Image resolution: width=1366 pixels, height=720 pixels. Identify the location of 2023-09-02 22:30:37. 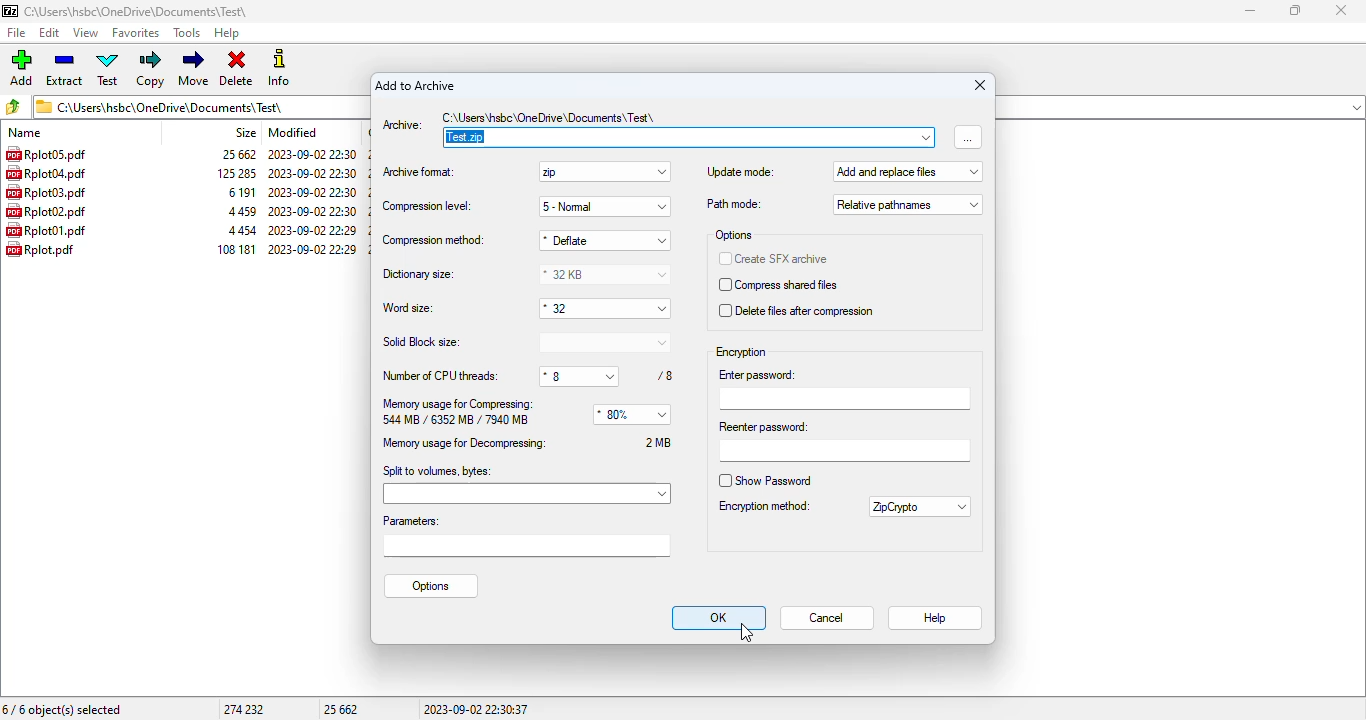
(476, 709).